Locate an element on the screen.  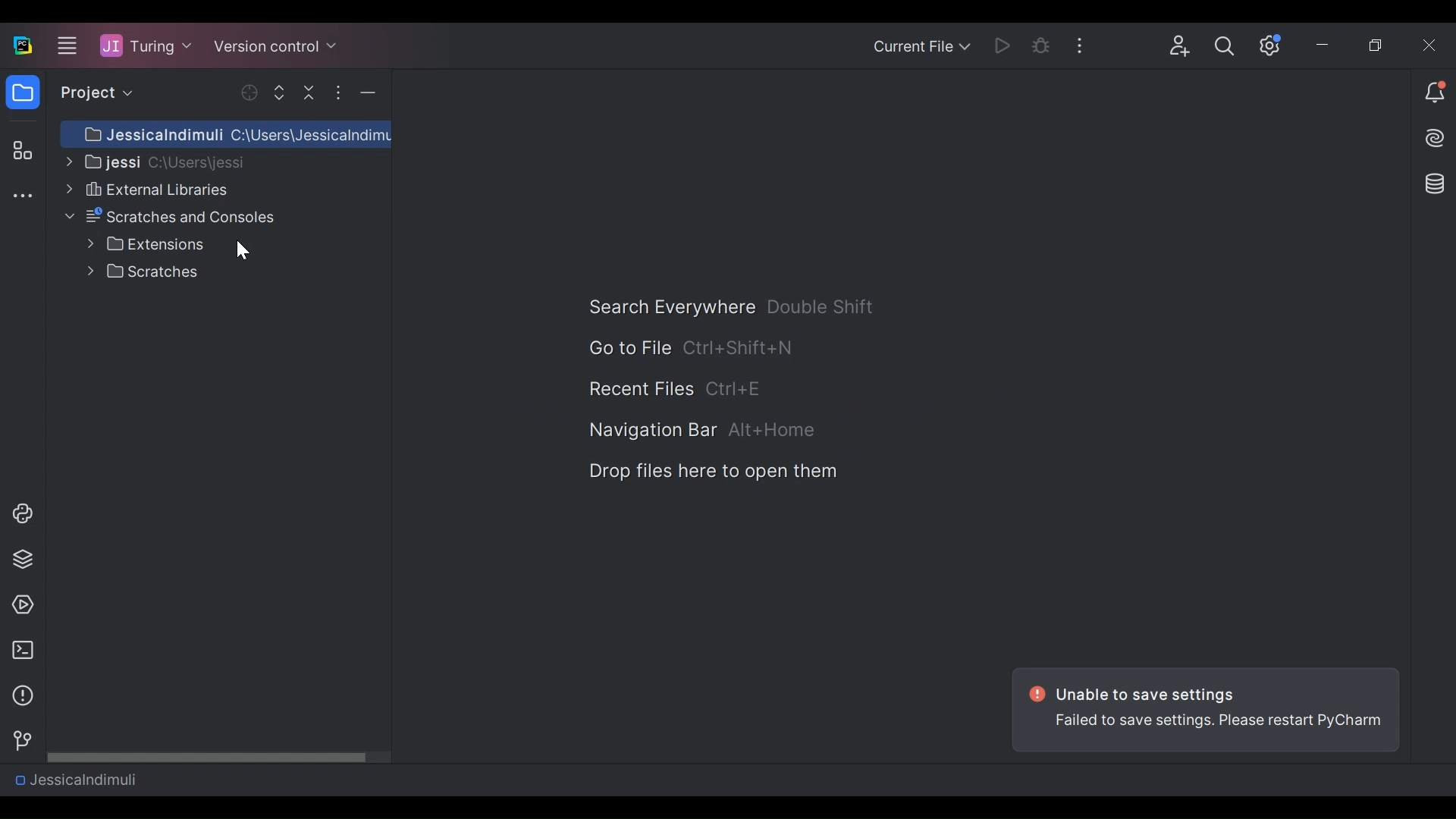
Cursor is located at coordinates (241, 249).